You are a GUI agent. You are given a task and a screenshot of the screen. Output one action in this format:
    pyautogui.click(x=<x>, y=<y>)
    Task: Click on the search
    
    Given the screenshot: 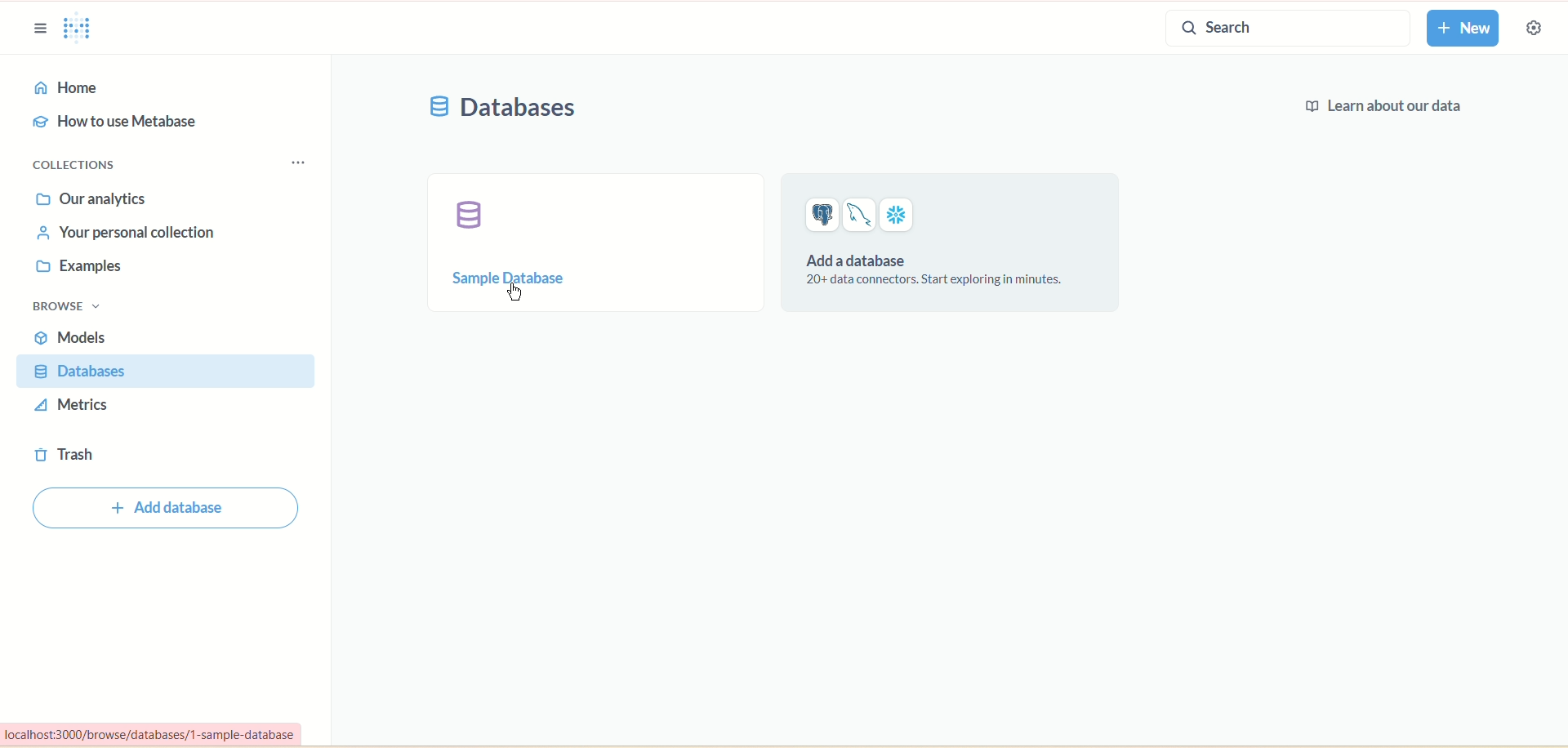 What is the action you would take?
    pyautogui.click(x=1291, y=29)
    